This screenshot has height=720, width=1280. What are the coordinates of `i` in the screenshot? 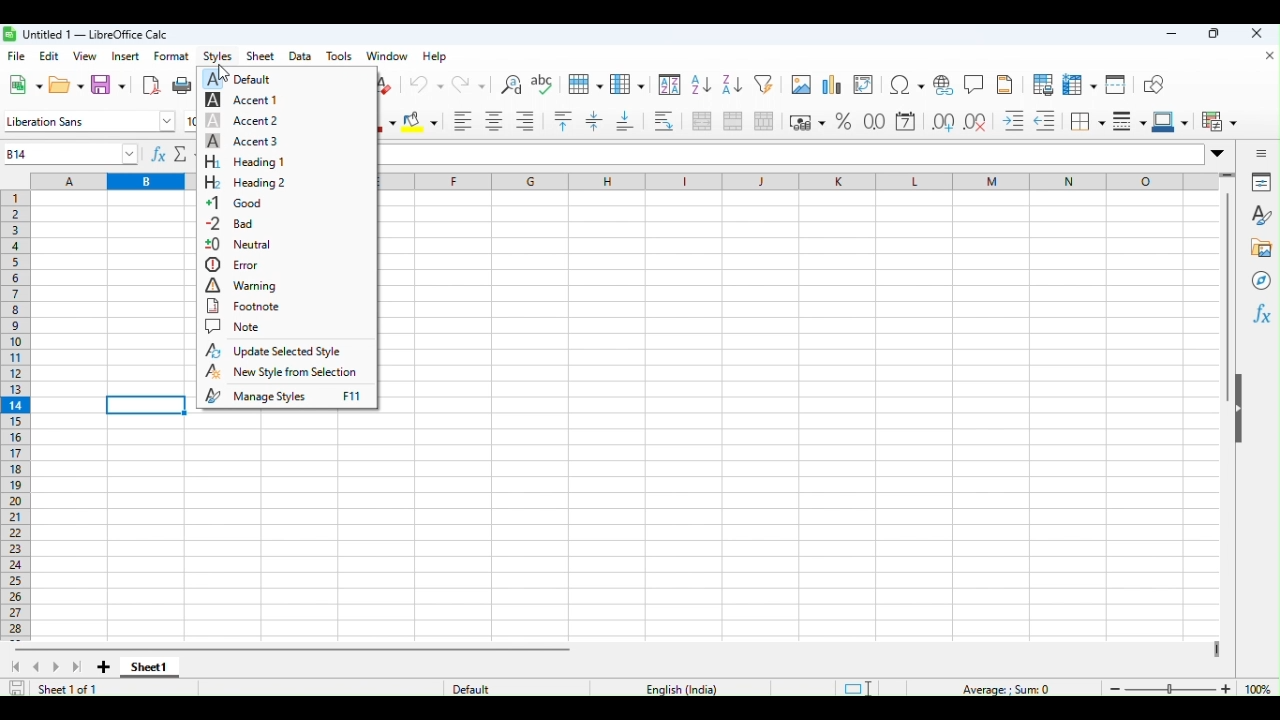 It's located at (683, 182).